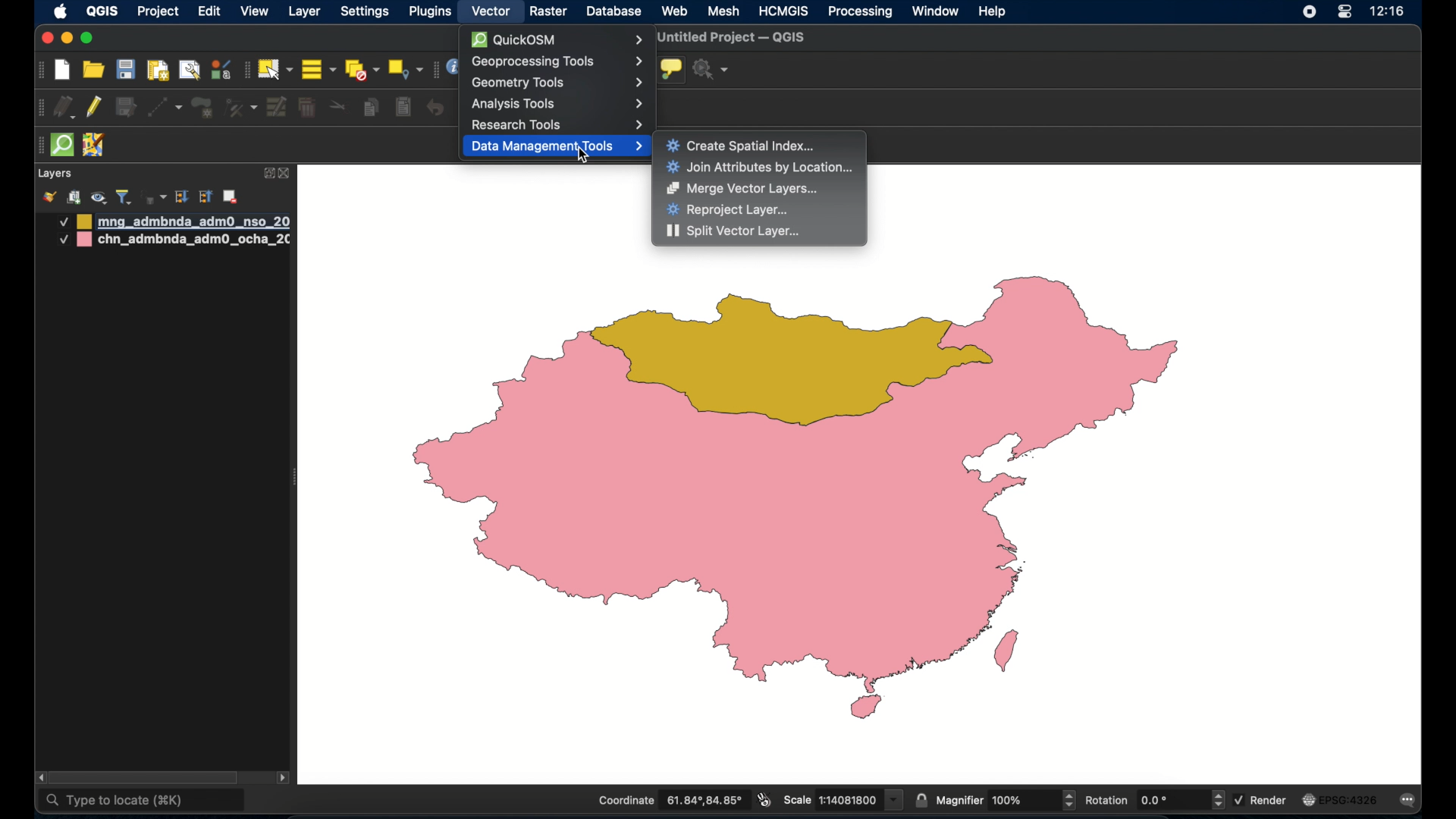 The width and height of the screenshot is (1456, 819). What do you see at coordinates (783, 11) in the screenshot?
I see `HCMGIS` at bounding box center [783, 11].